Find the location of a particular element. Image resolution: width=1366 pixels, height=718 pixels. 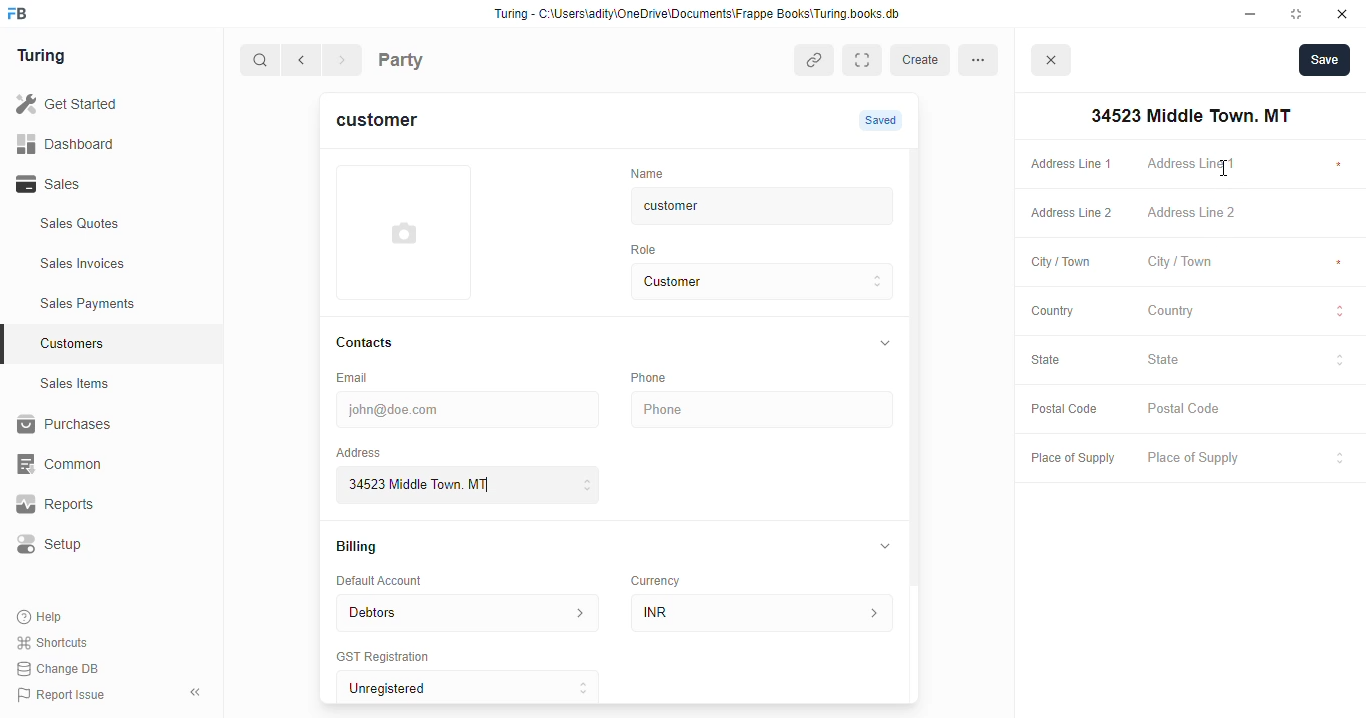

forward is located at coordinates (344, 62).